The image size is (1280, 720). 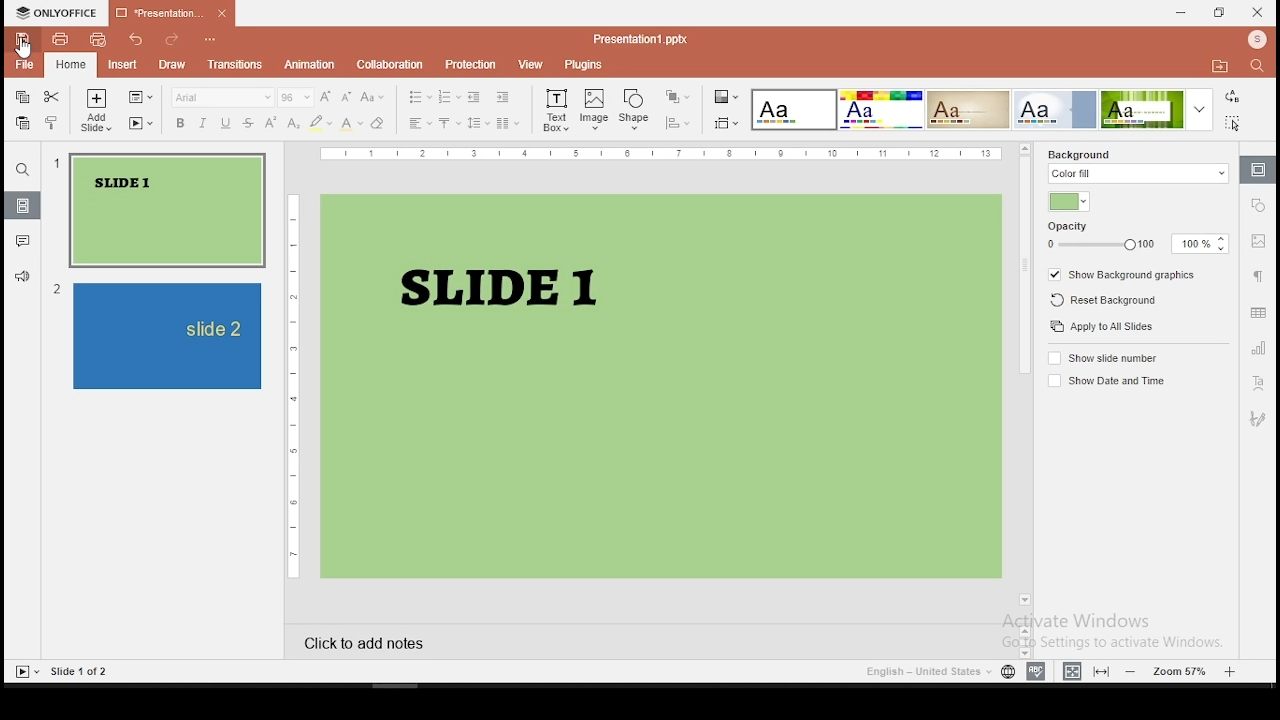 I want to click on replace, so click(x=1233, y=96).